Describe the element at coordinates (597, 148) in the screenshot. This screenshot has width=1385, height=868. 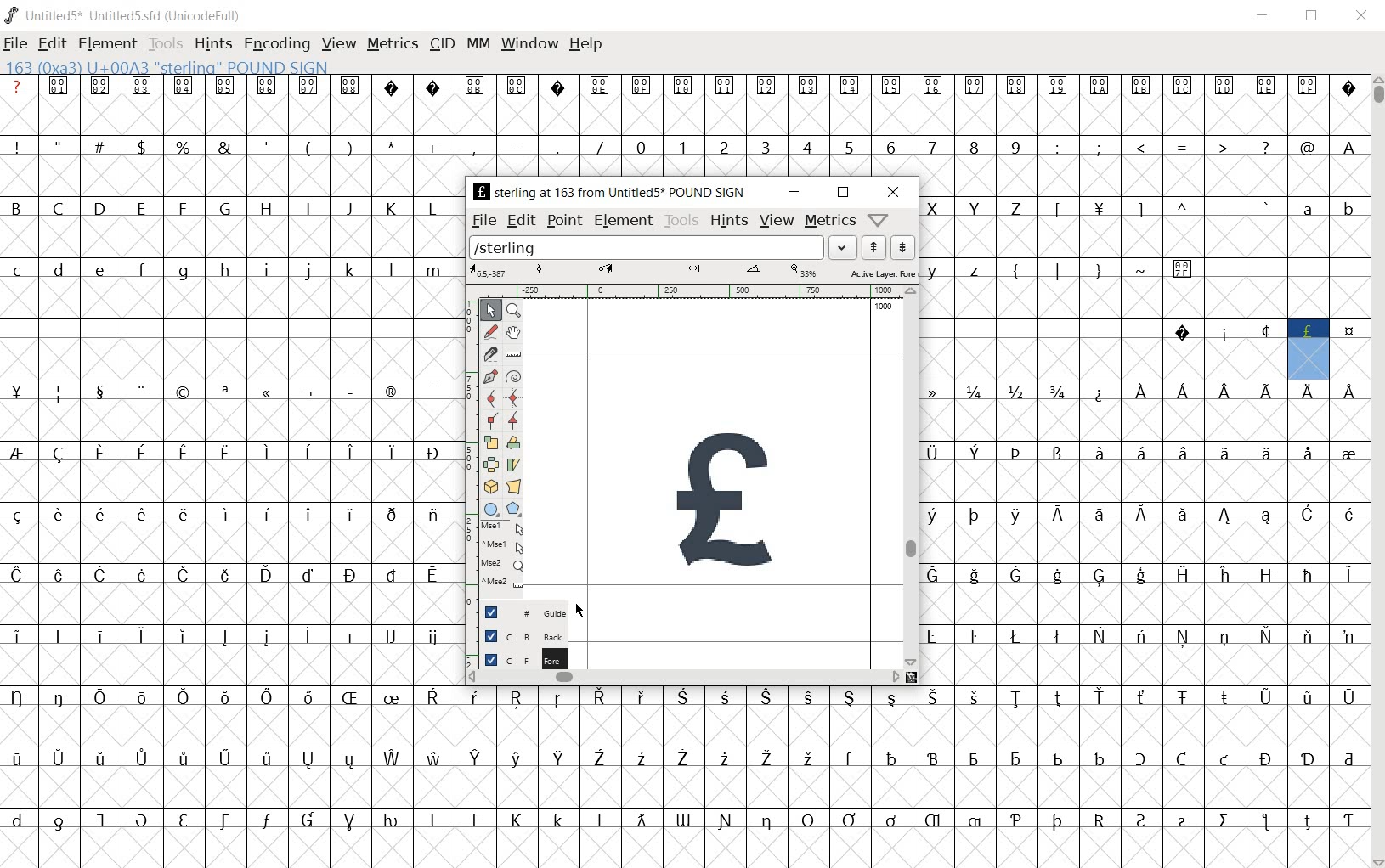
I see `/` at that location.